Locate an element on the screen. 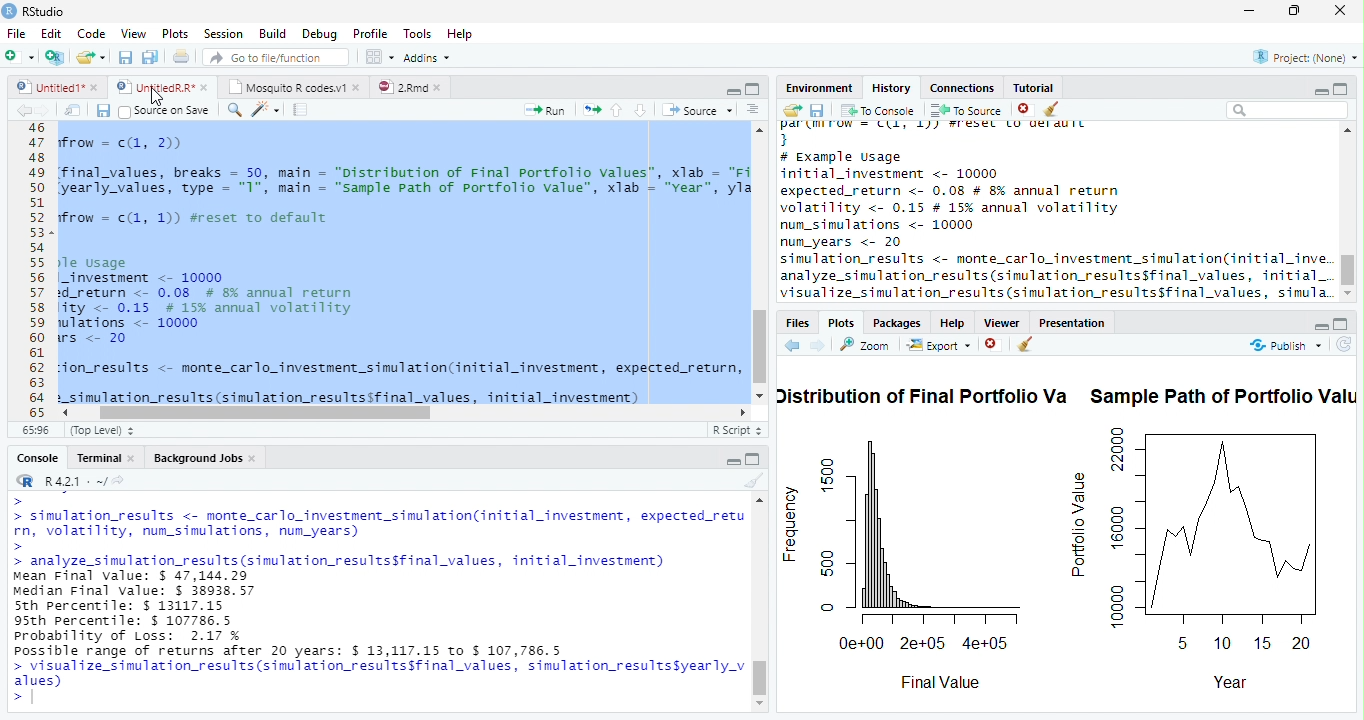 Image resolution: width=1364 pixels, height=720 pixels. Next Plot is located at coordinates (818, 345).